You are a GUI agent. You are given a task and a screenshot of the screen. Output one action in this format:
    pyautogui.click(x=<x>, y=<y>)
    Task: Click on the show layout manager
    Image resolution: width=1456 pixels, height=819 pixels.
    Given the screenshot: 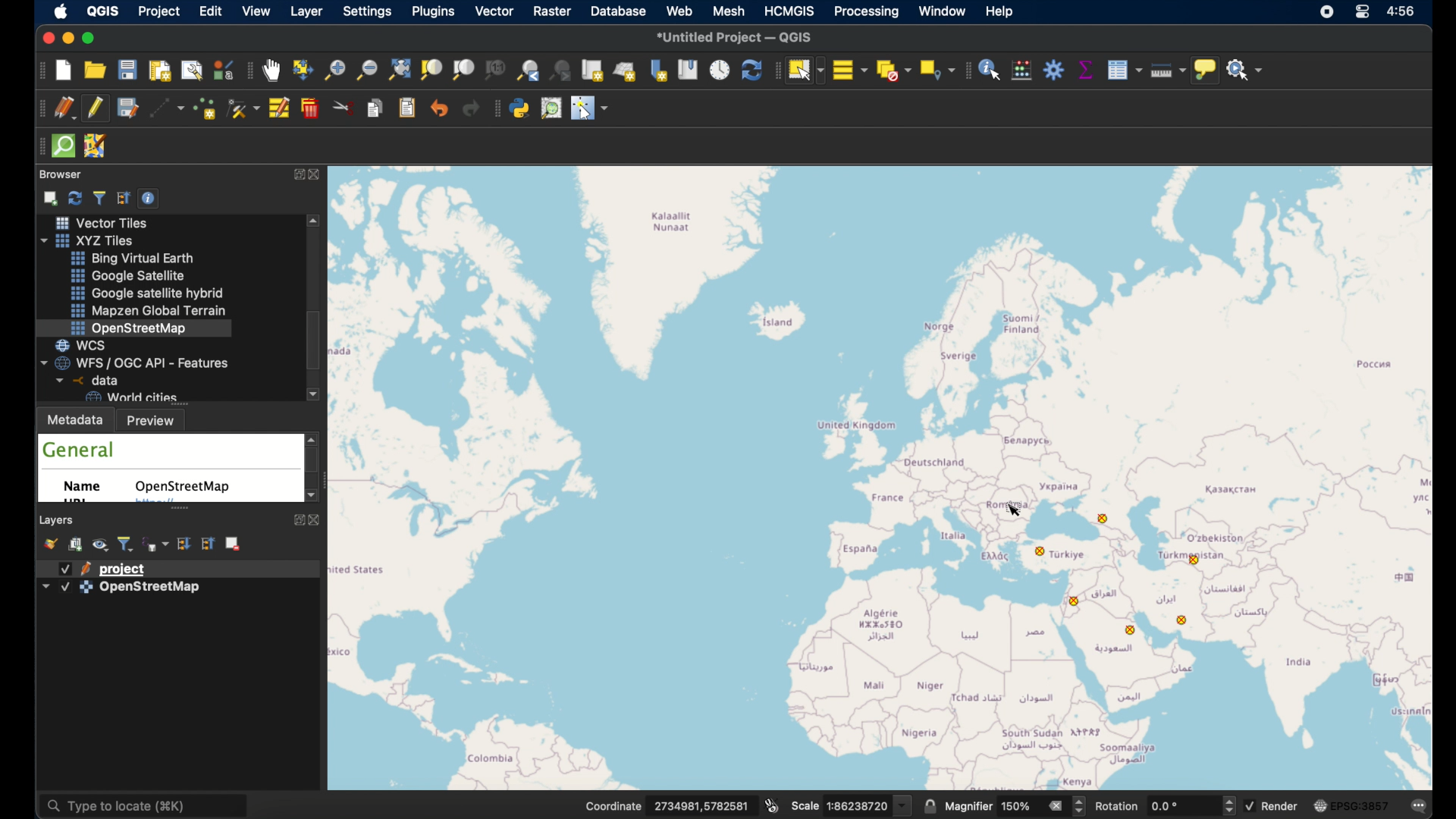 What is the action you would take?
    pyautogui.click(x=193, y=72)
    